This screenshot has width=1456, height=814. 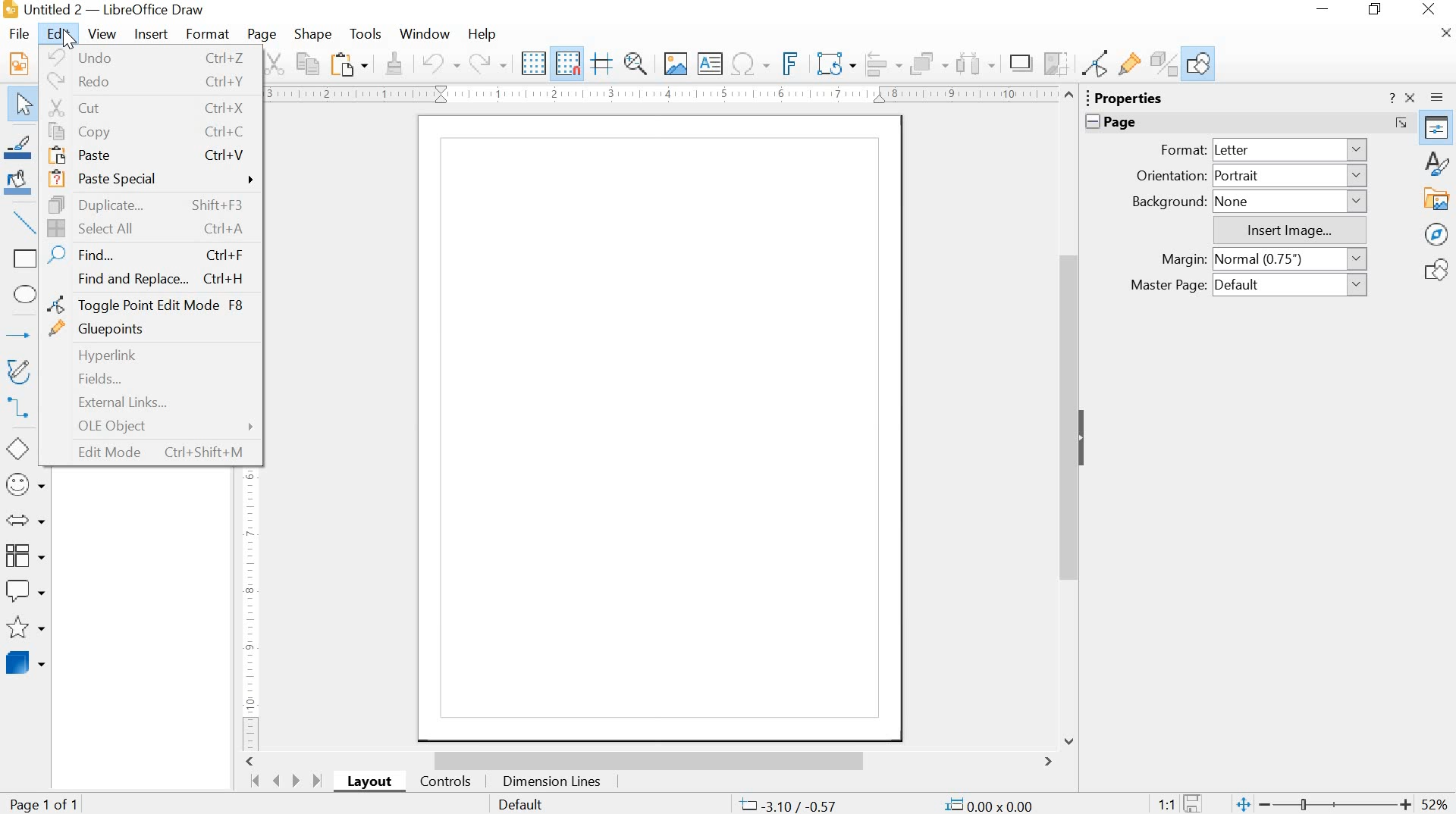 I want to click on Tools, so click(x=363, y=33).